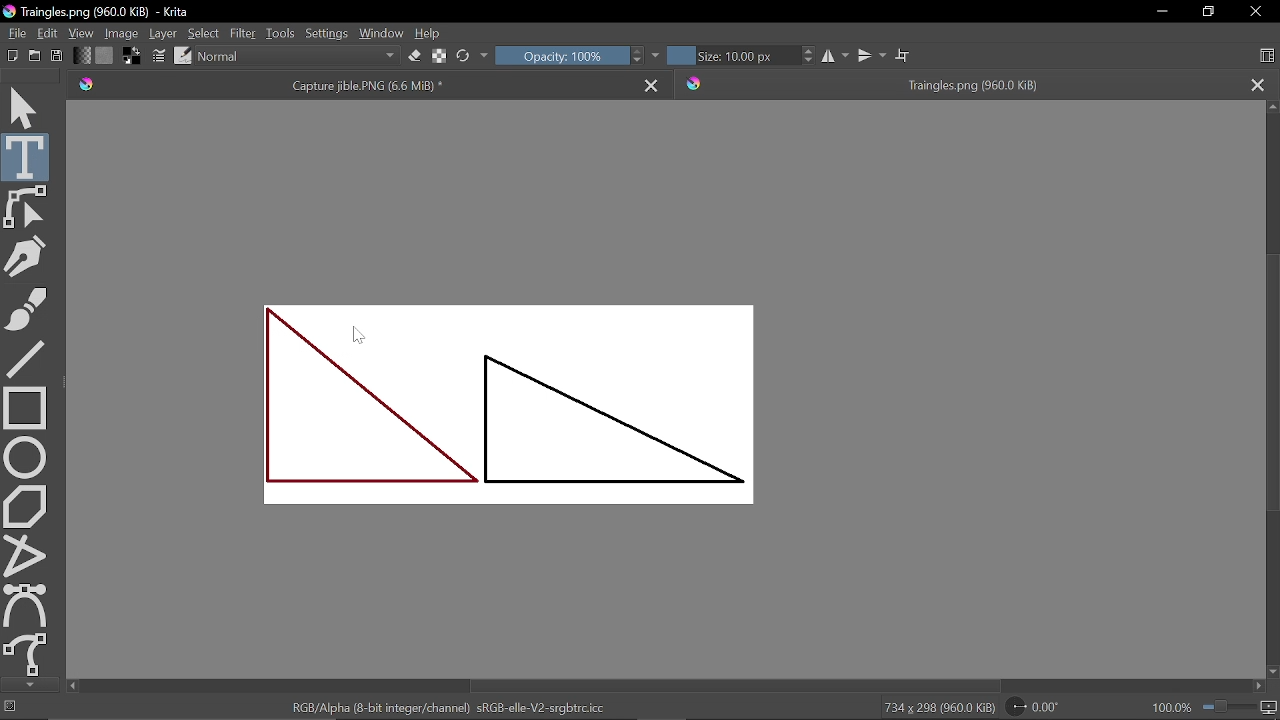  Describe the element at coordinates (297, 57) in the screenshot. I see `Blending` at that location.